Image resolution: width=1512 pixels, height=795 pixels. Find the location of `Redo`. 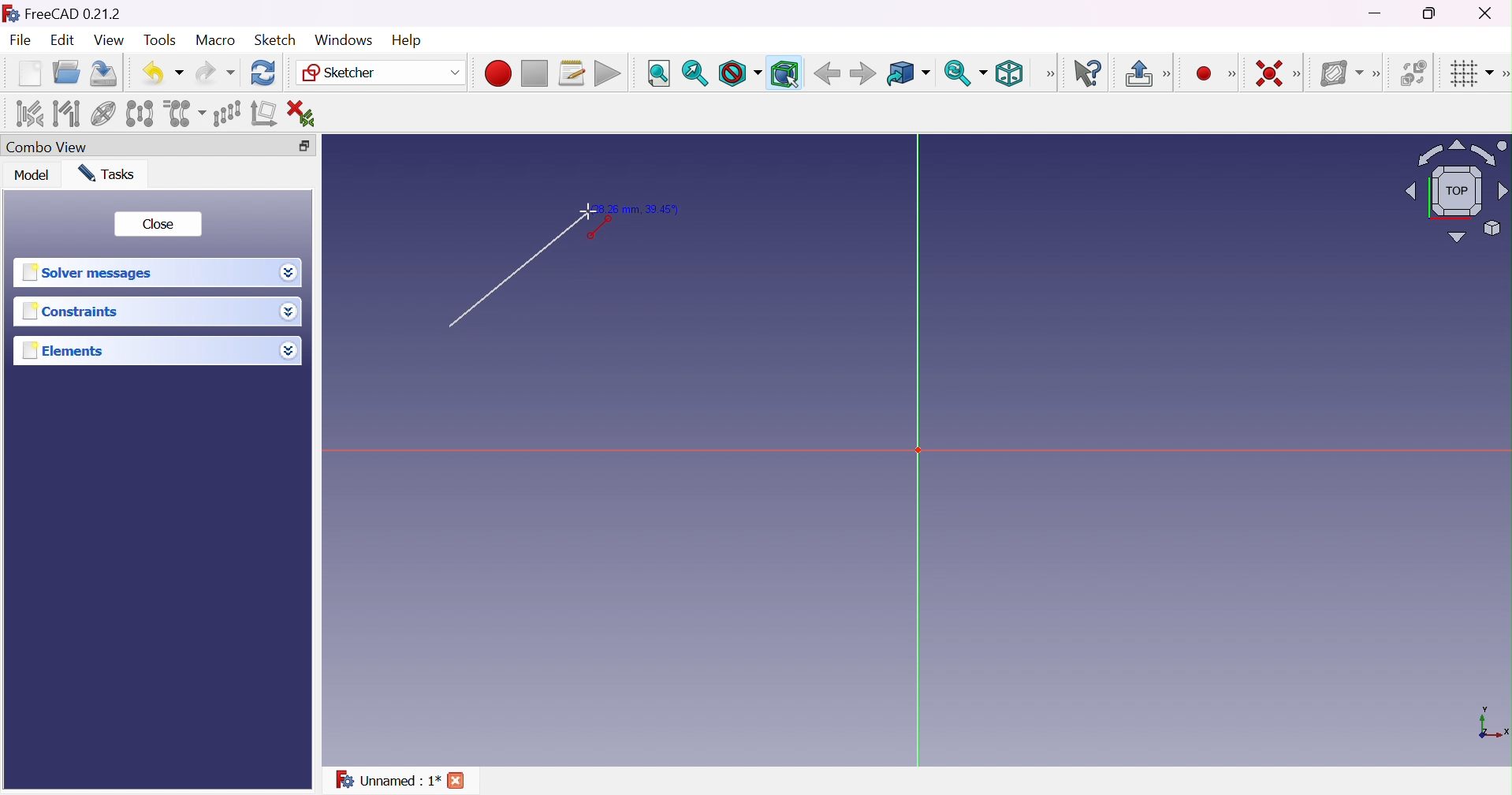

Redo is located at coordinates (214, 73).